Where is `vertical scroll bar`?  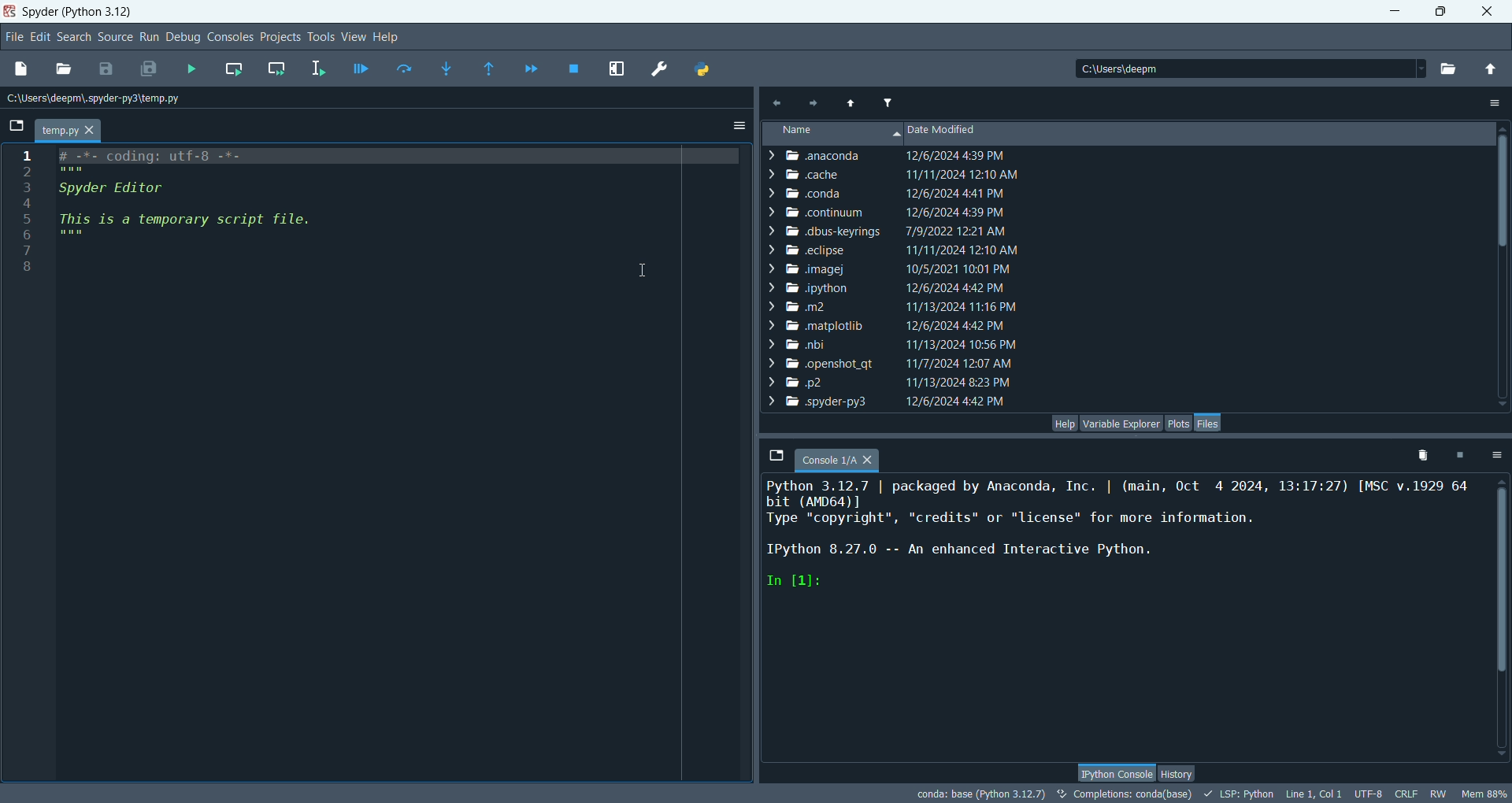 vertical scroll bar is located at coordinates (1503, 265).